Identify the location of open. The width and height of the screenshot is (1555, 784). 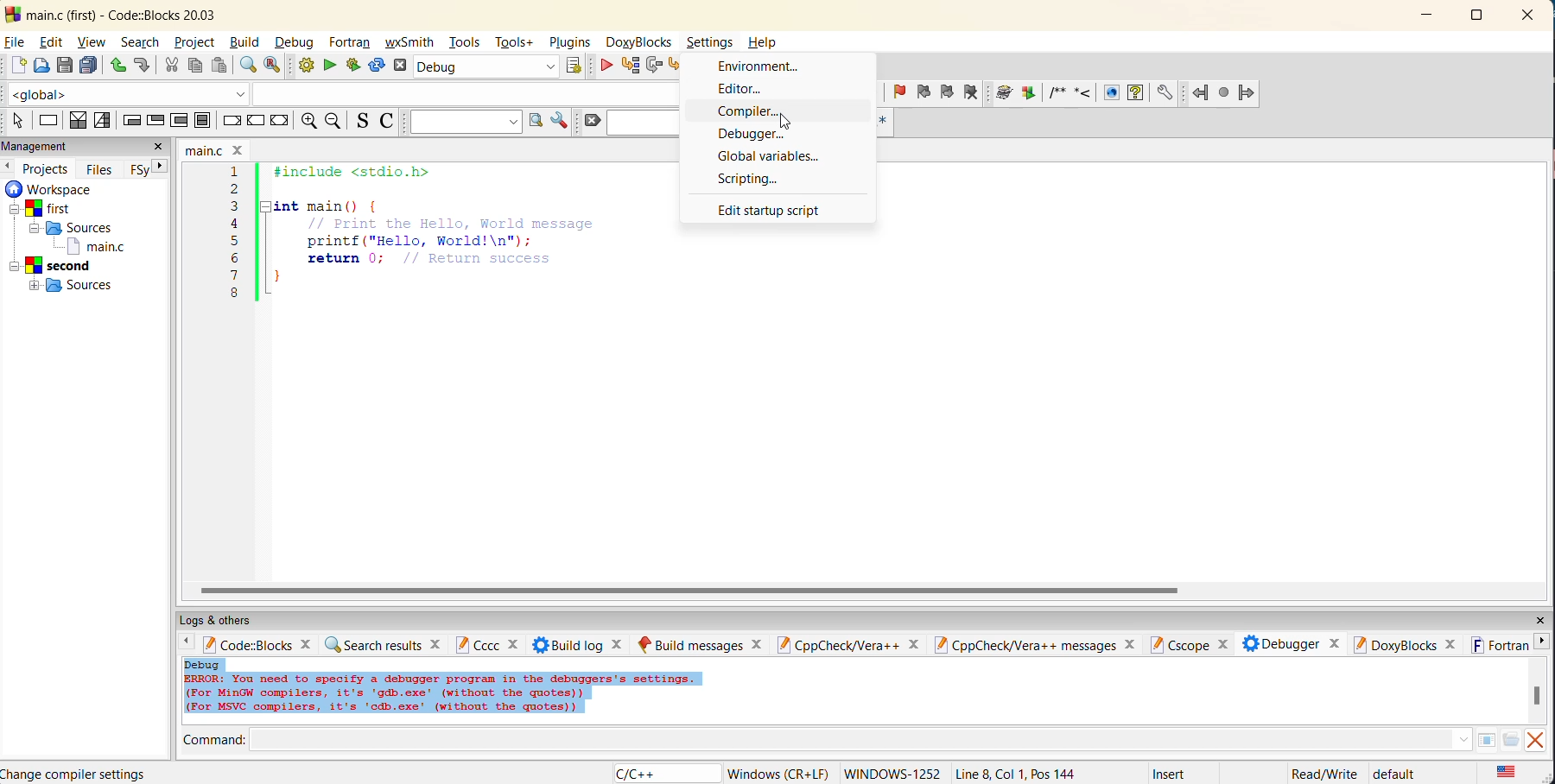
(41, 66).